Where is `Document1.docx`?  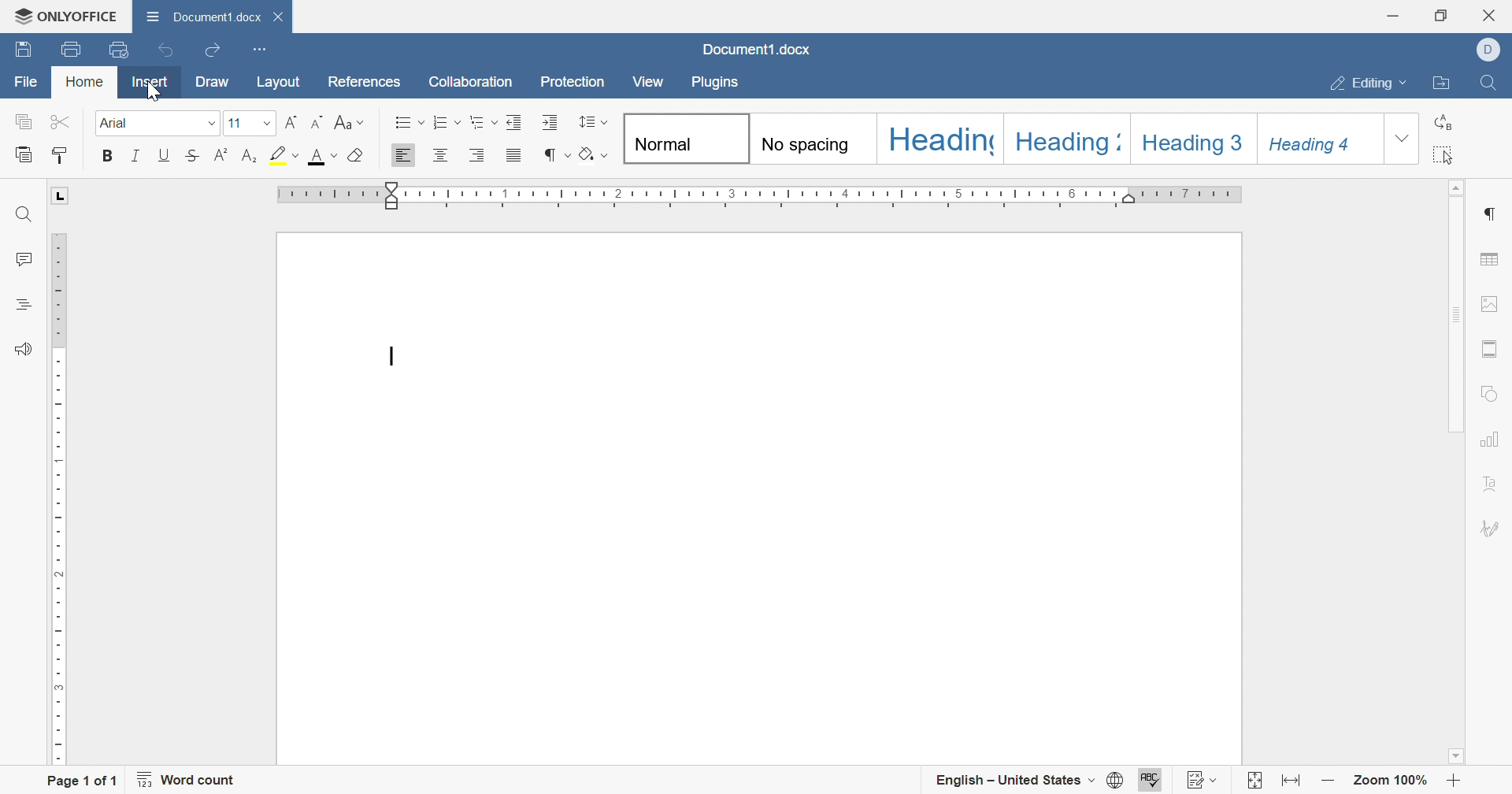
Document1.docx is located at coordinates (206, 20).